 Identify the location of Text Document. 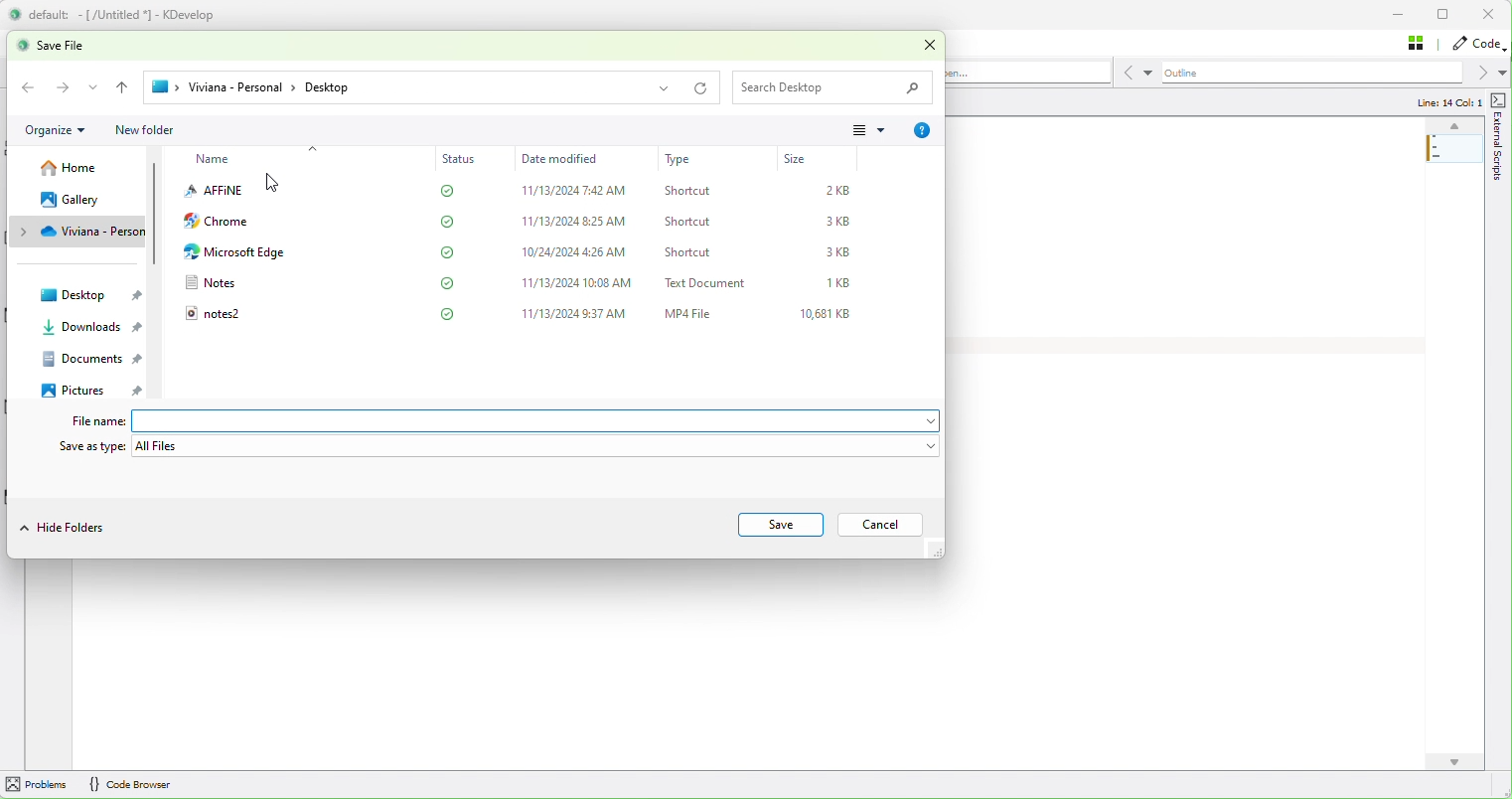
(709, 282).